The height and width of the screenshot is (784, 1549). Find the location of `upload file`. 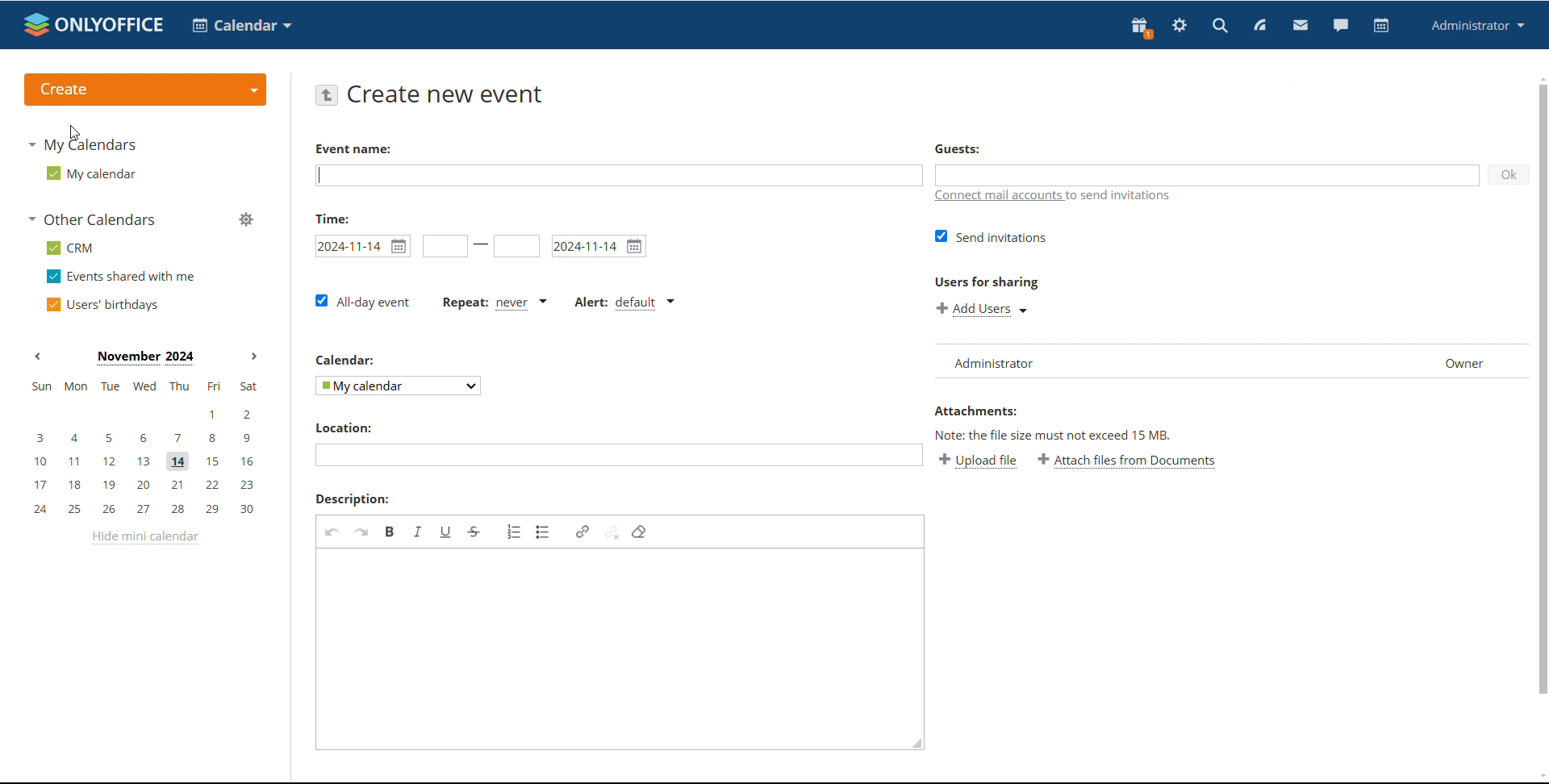

upload file is located at coordinates (978, 460).